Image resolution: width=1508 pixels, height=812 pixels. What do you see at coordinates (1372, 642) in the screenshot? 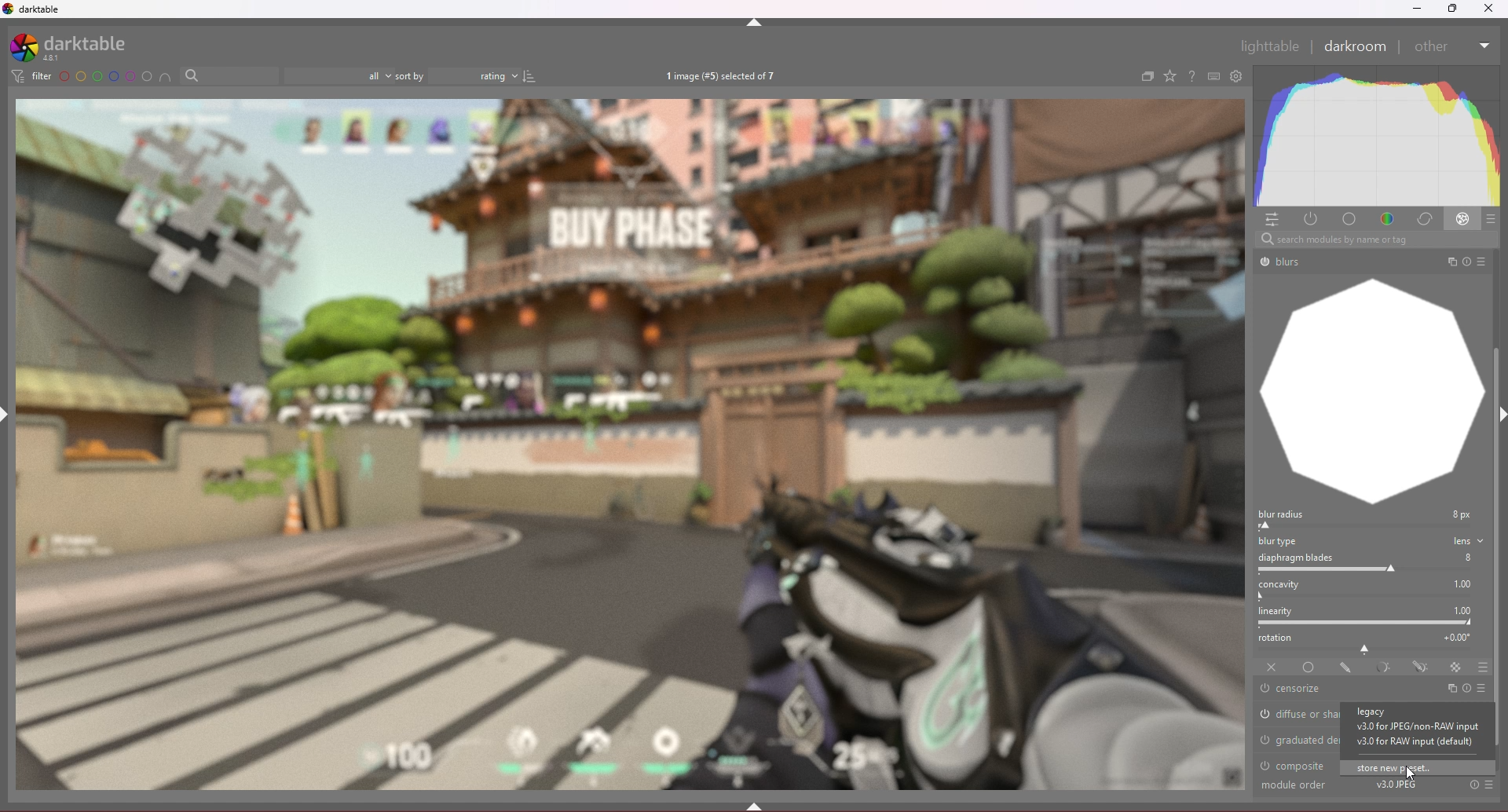
I see `rotation` at bounding box center [1372, 642].